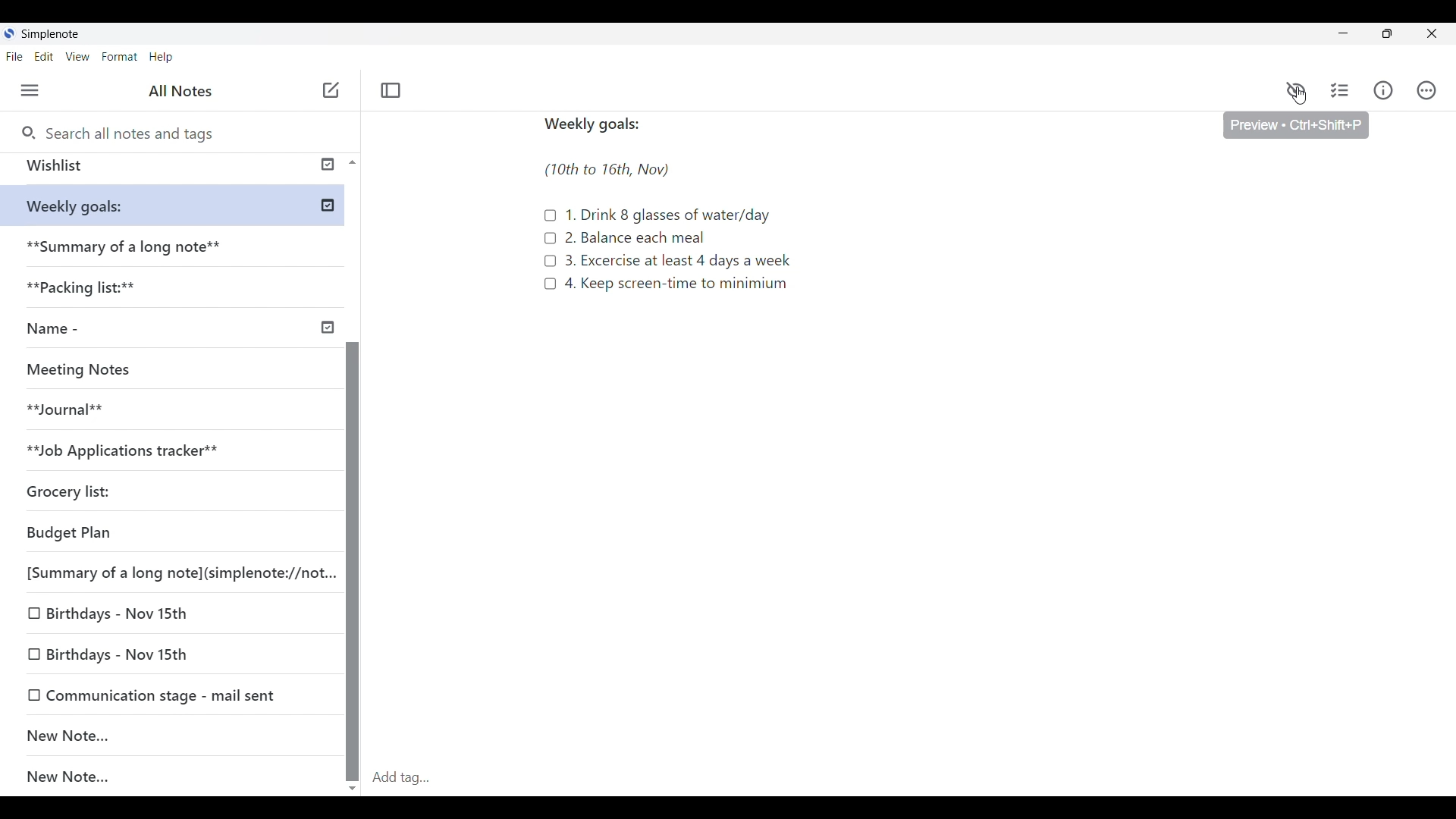 The image size is (1456, 819). What do you see at coordinates (73, 407) in the screenshot?
I see `**Journal**` at bounding box center [73, 407].